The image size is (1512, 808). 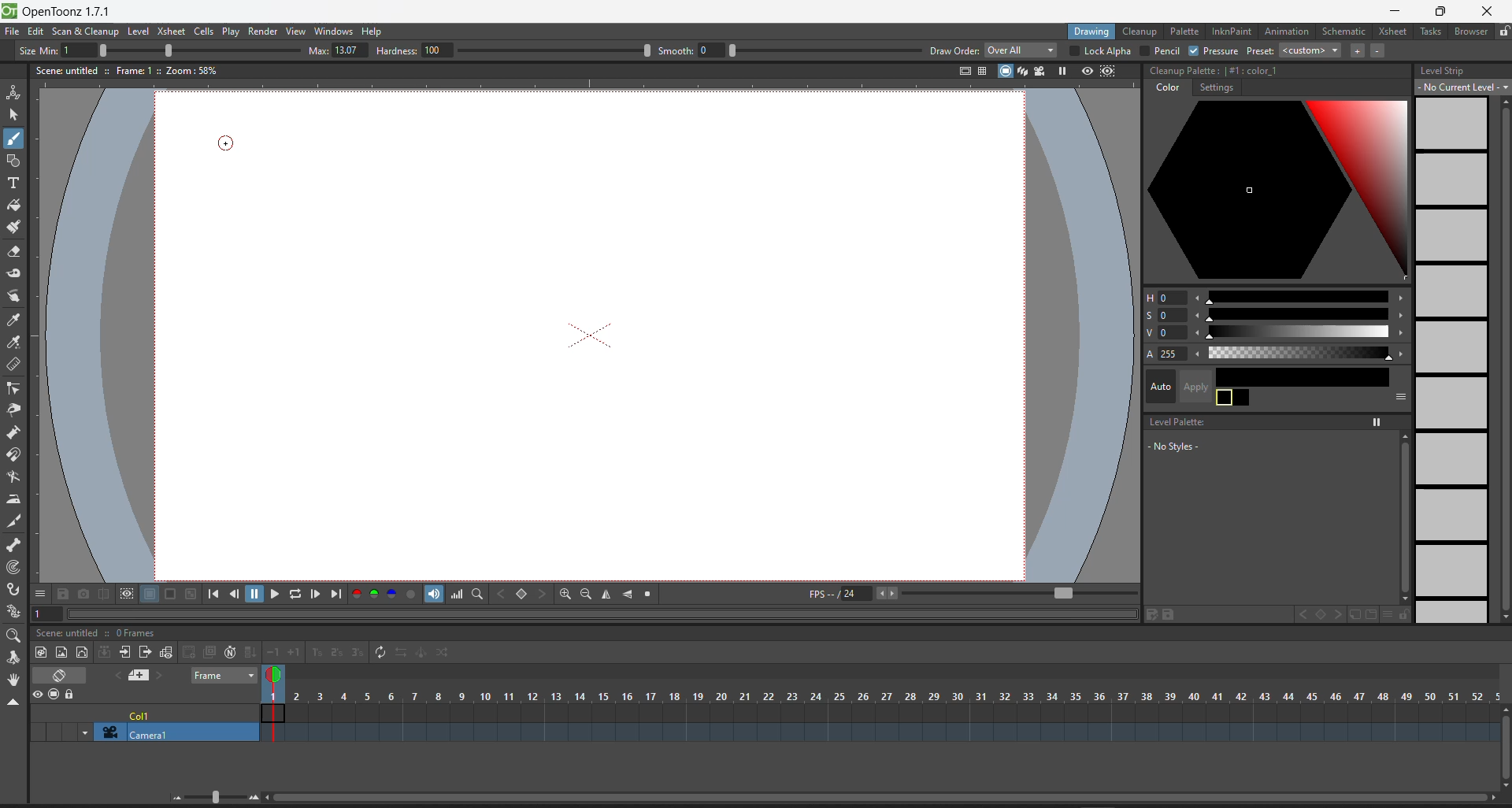 I want to click on reframe on 3, so click(x=356, y=652).